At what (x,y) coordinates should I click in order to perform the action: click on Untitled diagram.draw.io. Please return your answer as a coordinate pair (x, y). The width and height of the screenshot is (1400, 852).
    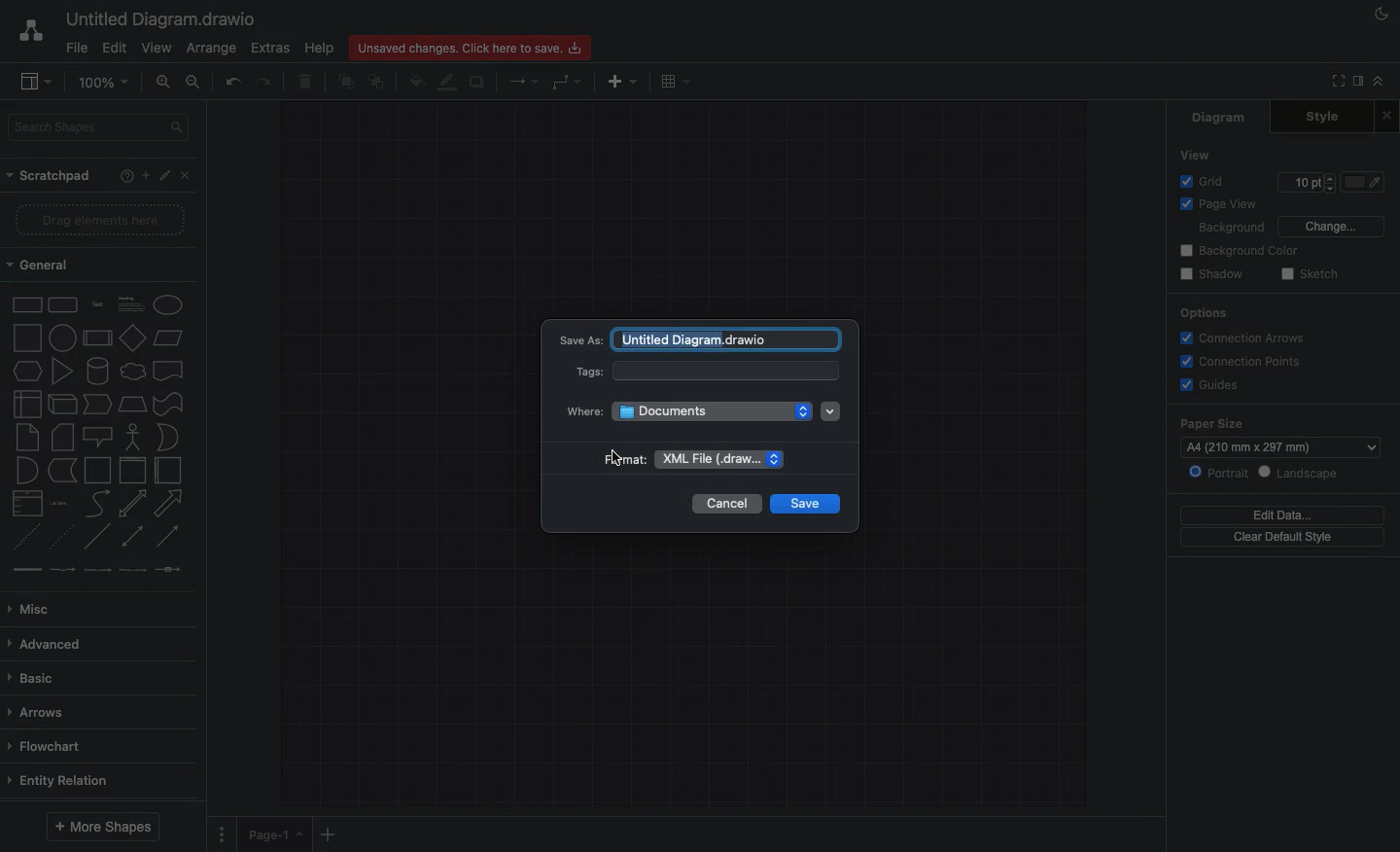
    Looking at the image, I should click on (165, 20).